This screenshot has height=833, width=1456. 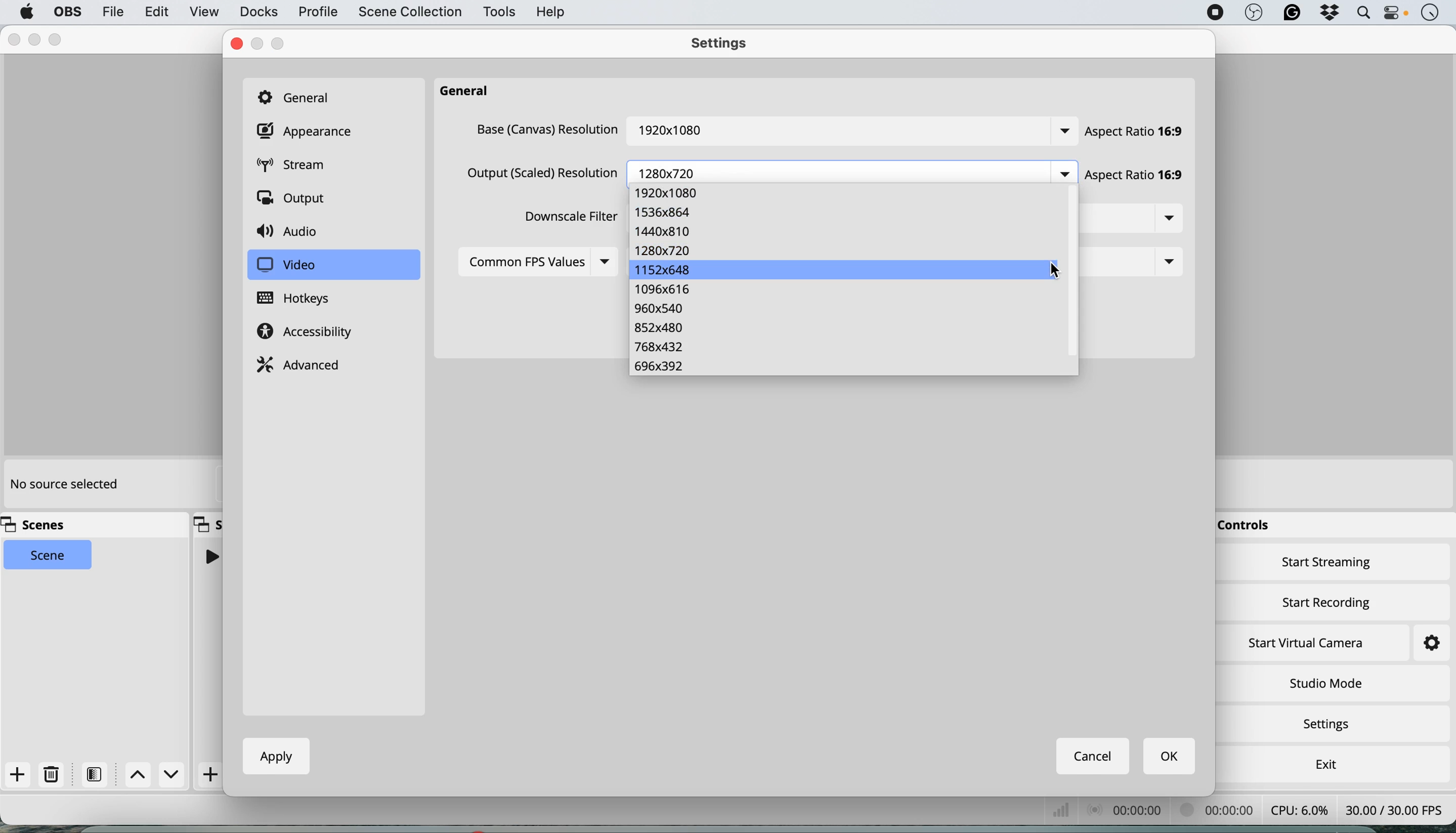 What do you see at coordinates (1331, 725) in the screenshot?
I see `settings` at bounding box center [1331, 725].